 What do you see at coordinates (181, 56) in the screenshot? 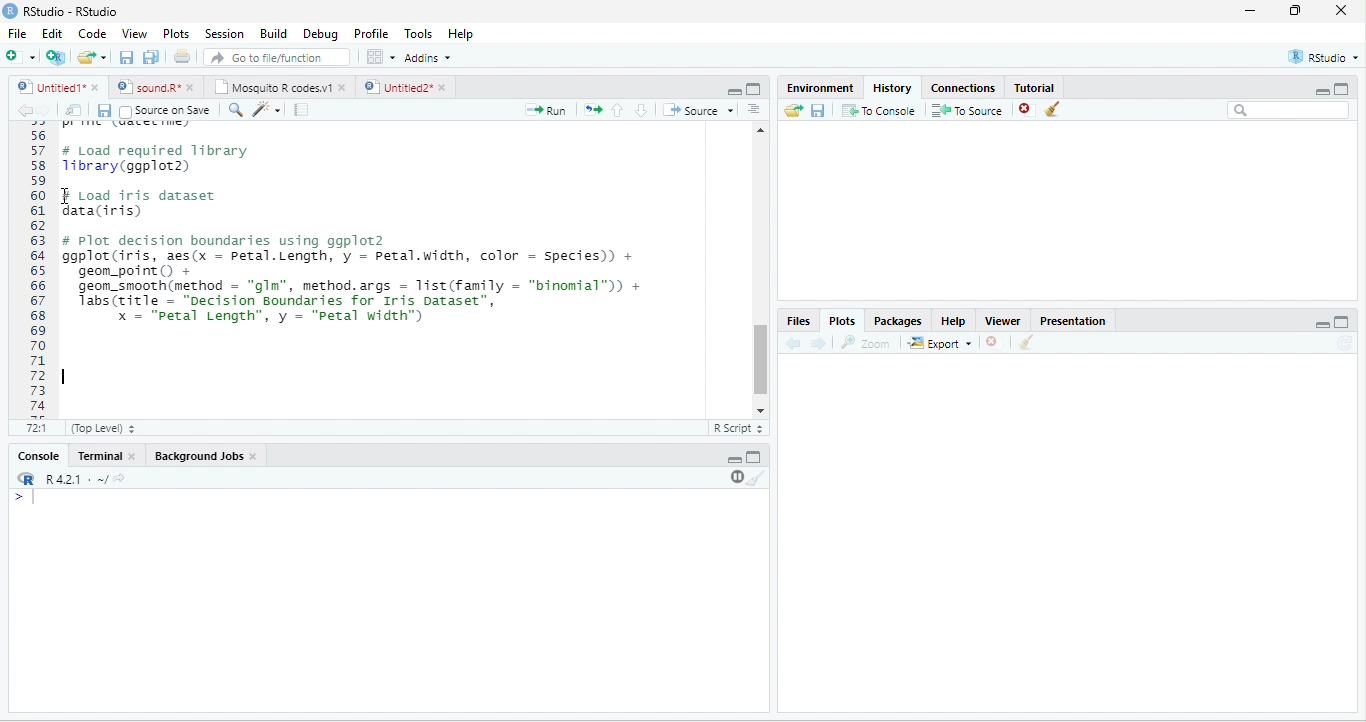
I see `print` at bounding box center [181, 56].